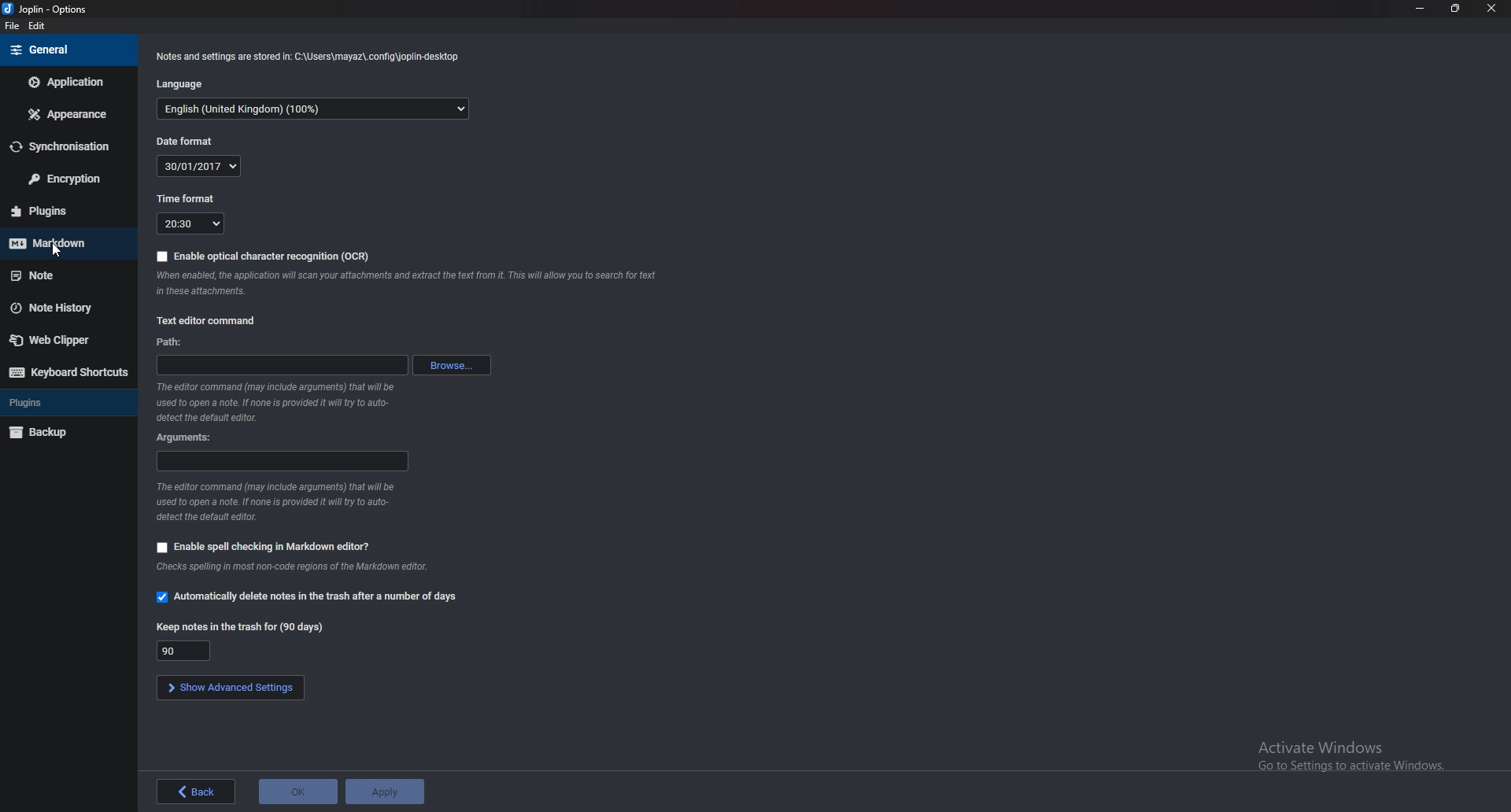  What do you see at coordinates (69, 144) in the screenshot?
I see `Synchronization` at bounding box center [69, 144].